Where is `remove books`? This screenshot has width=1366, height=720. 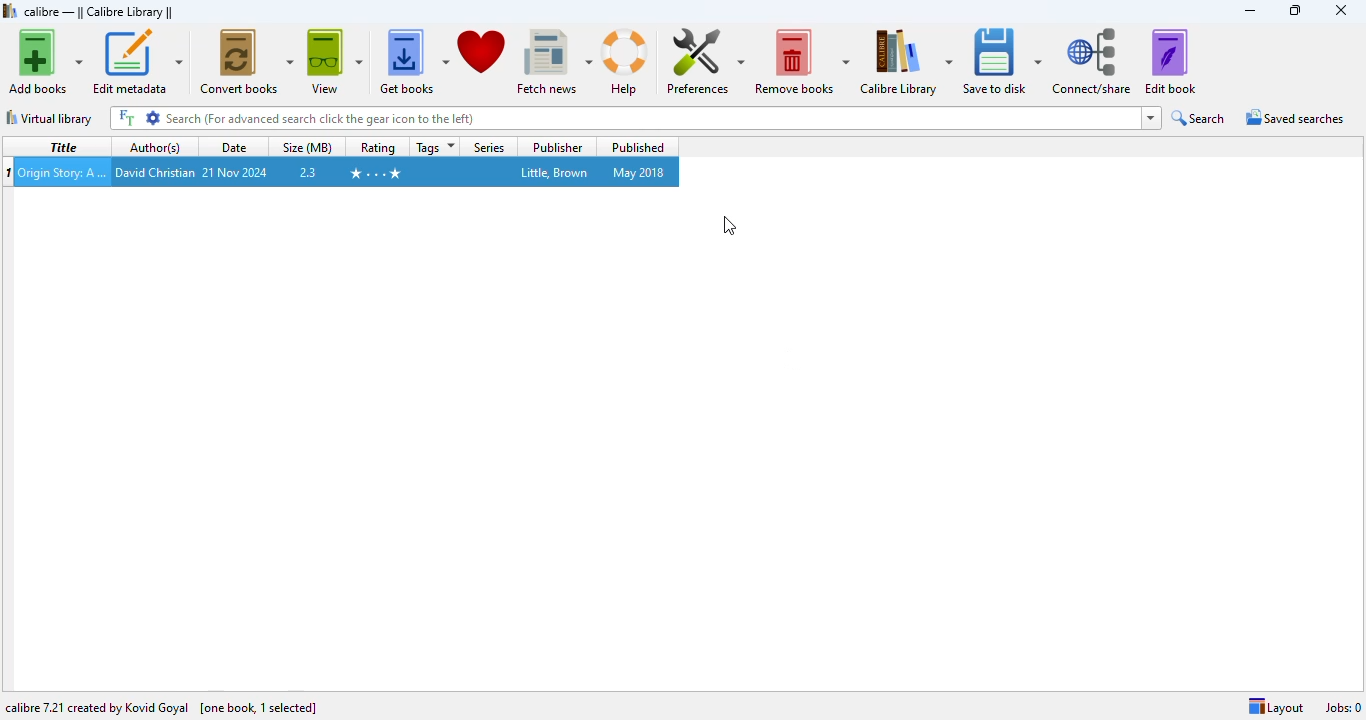
remove books is located at coordinates (802, 61).